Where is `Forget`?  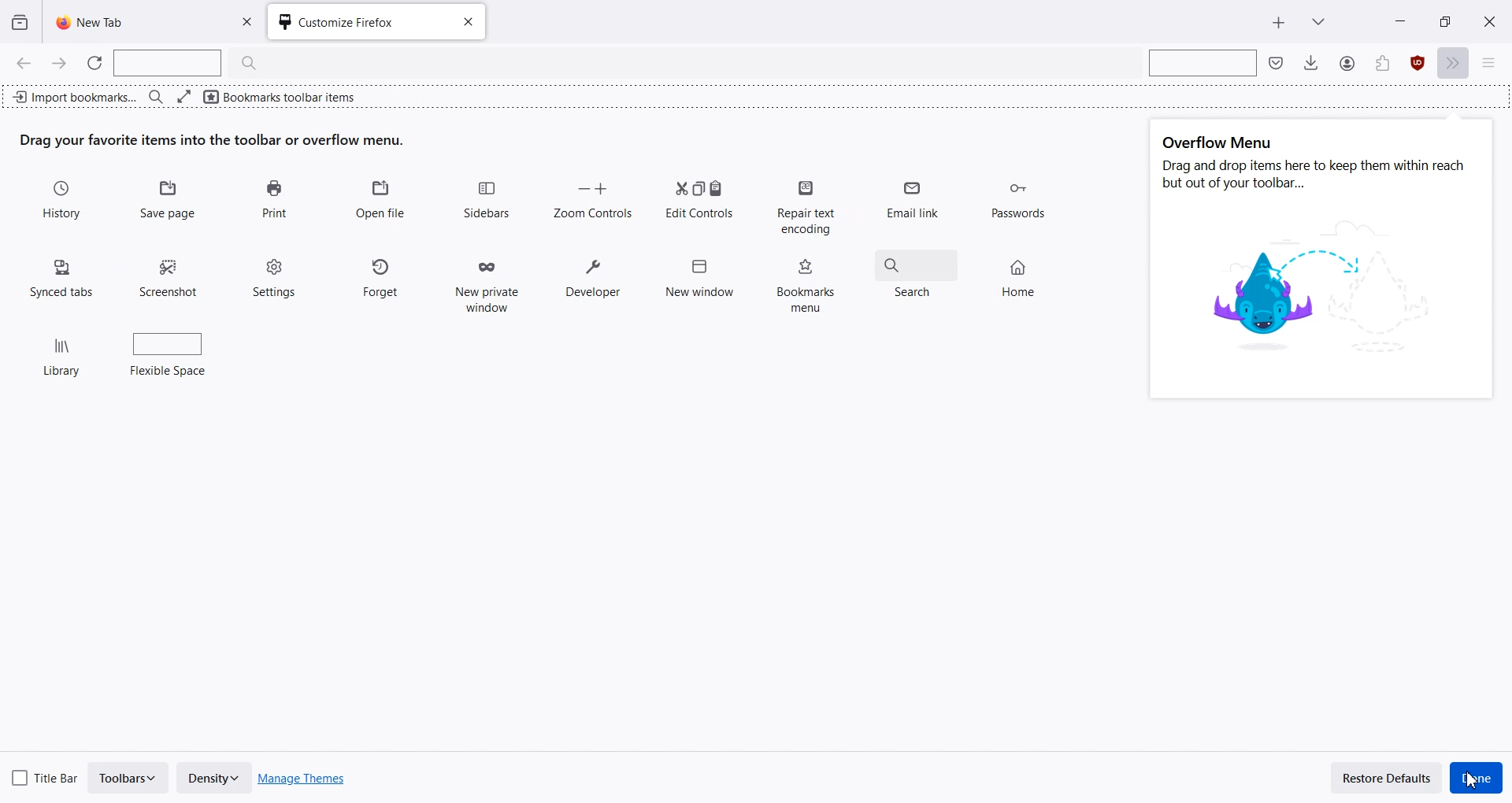
Forget is located at coordinates (382, 275).